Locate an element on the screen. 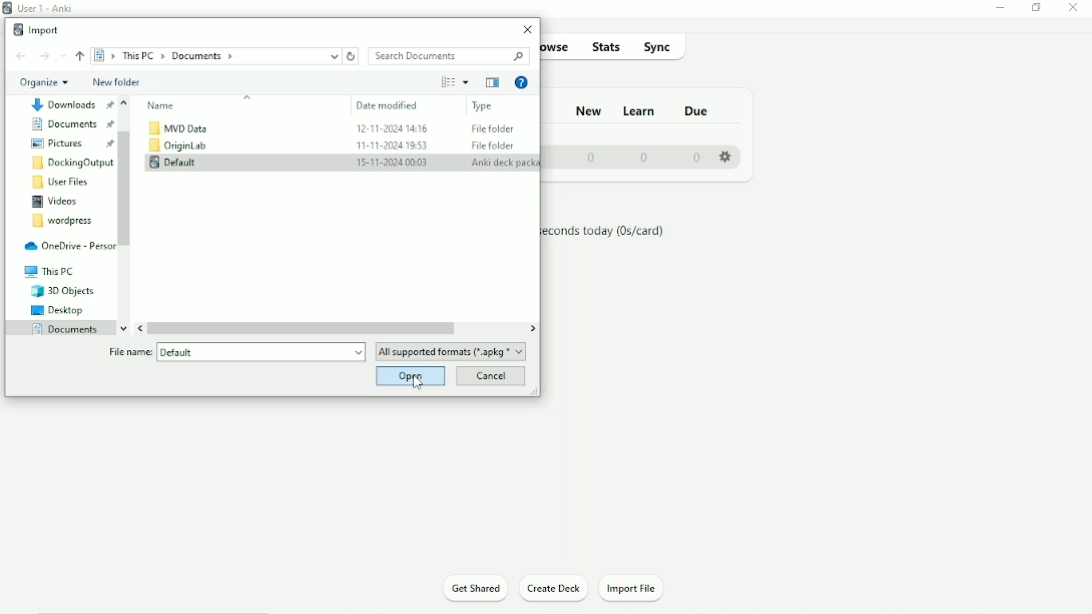  Create Deck is located at coordinates (554, 587).